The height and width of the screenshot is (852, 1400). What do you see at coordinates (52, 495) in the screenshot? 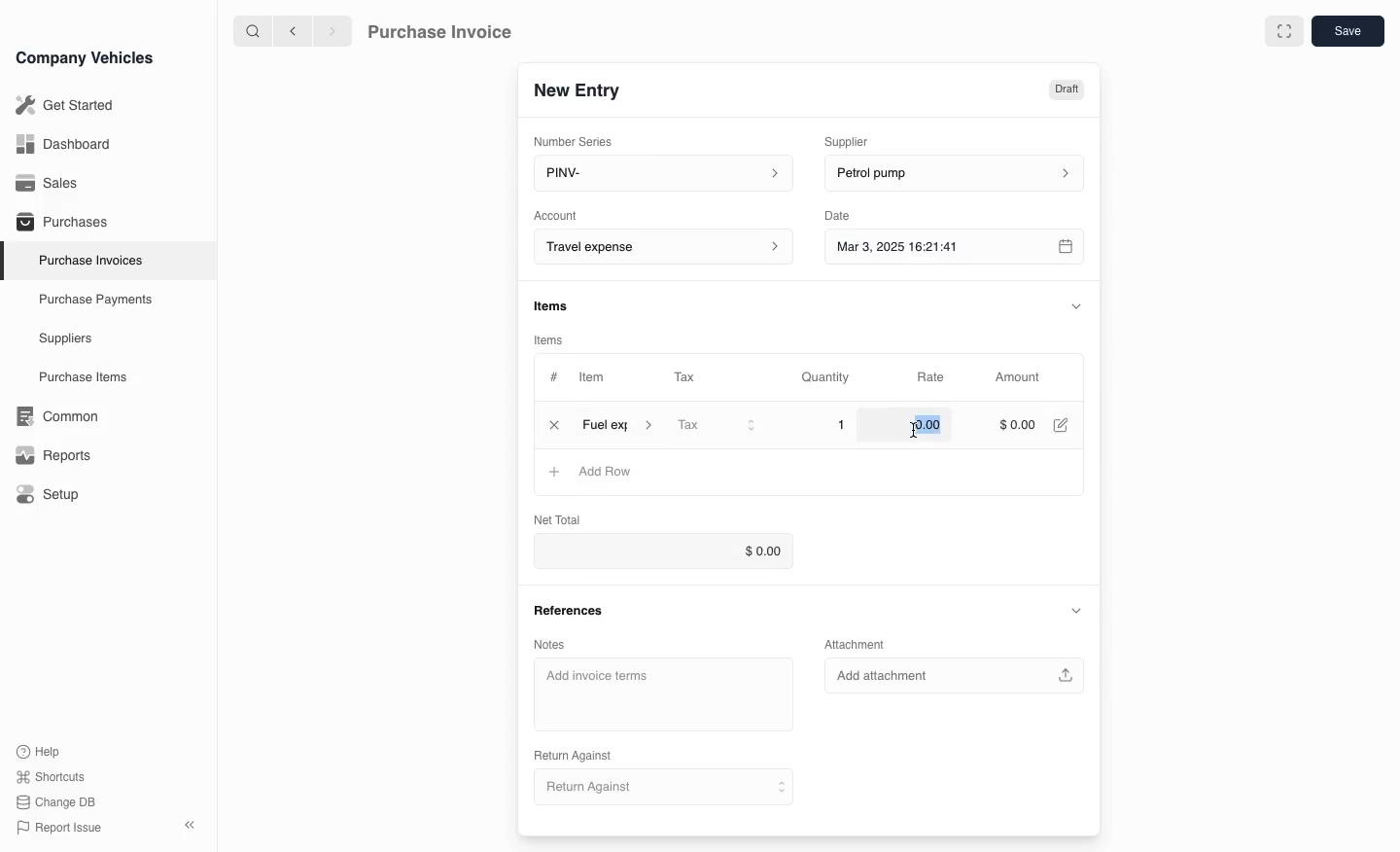
I see `Setup` at bounding box center [52, 495].